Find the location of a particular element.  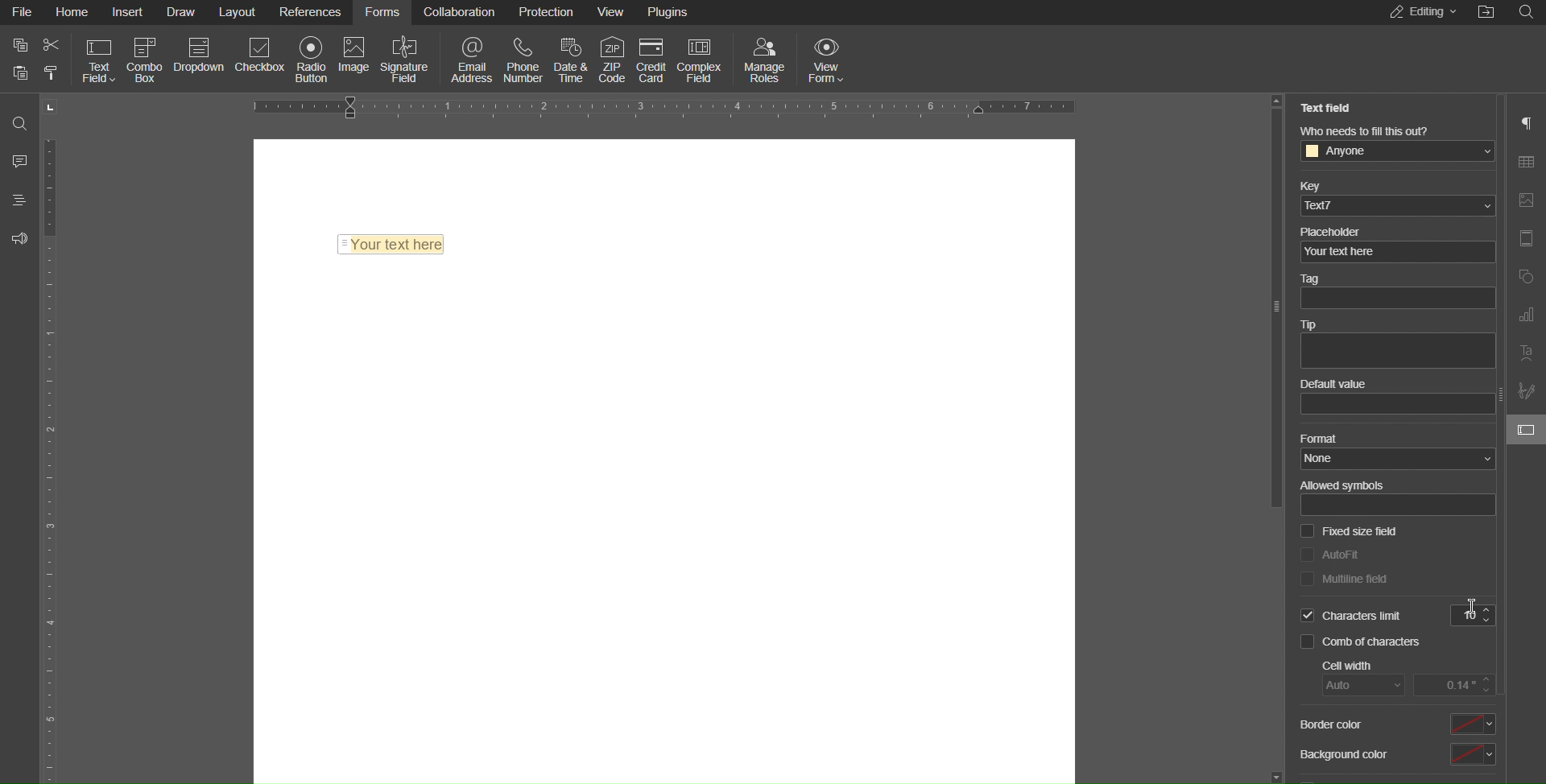

Editing is located at coordinates (1419, 13).